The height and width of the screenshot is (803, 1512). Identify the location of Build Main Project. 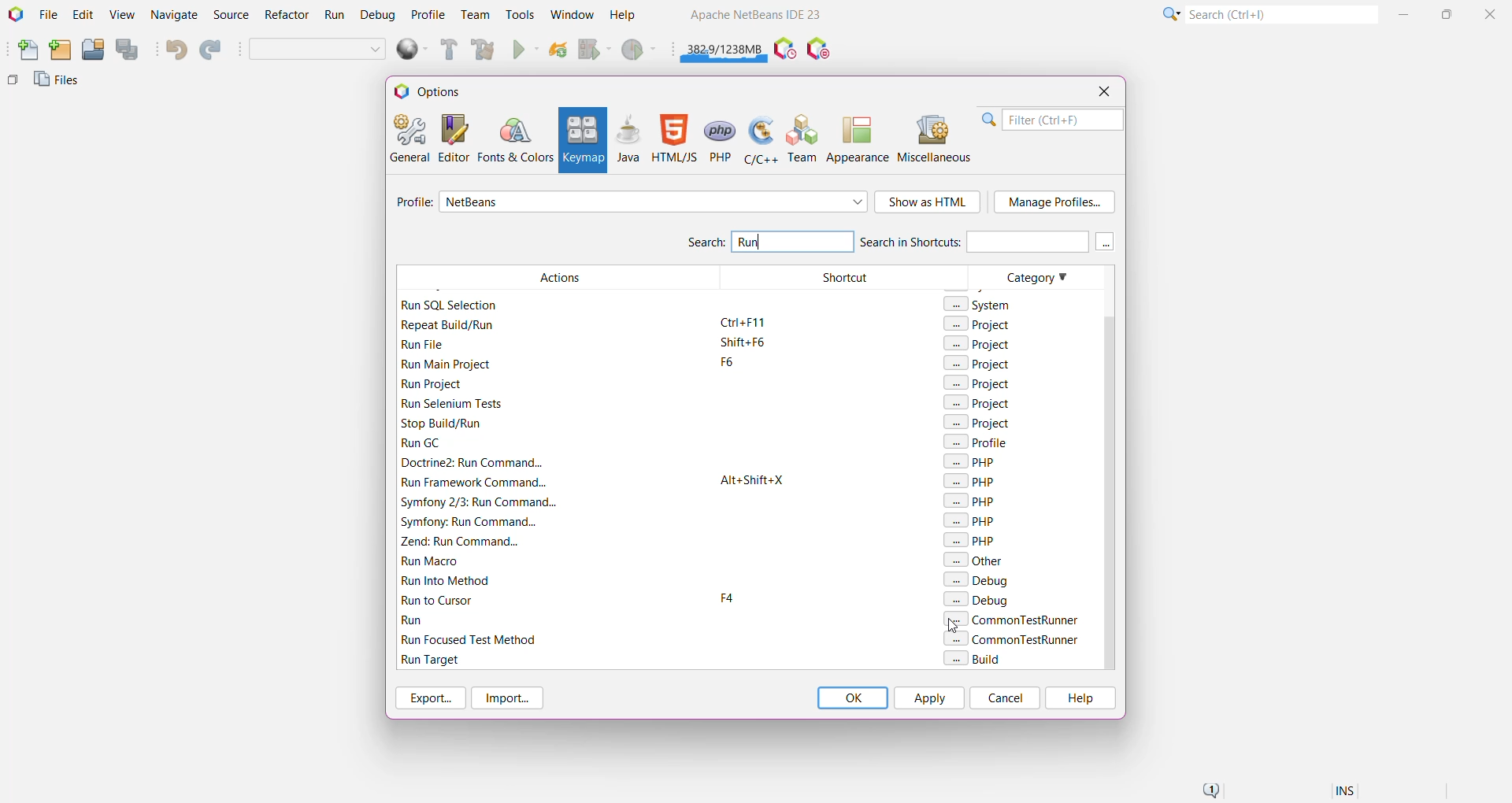
(447, 50).